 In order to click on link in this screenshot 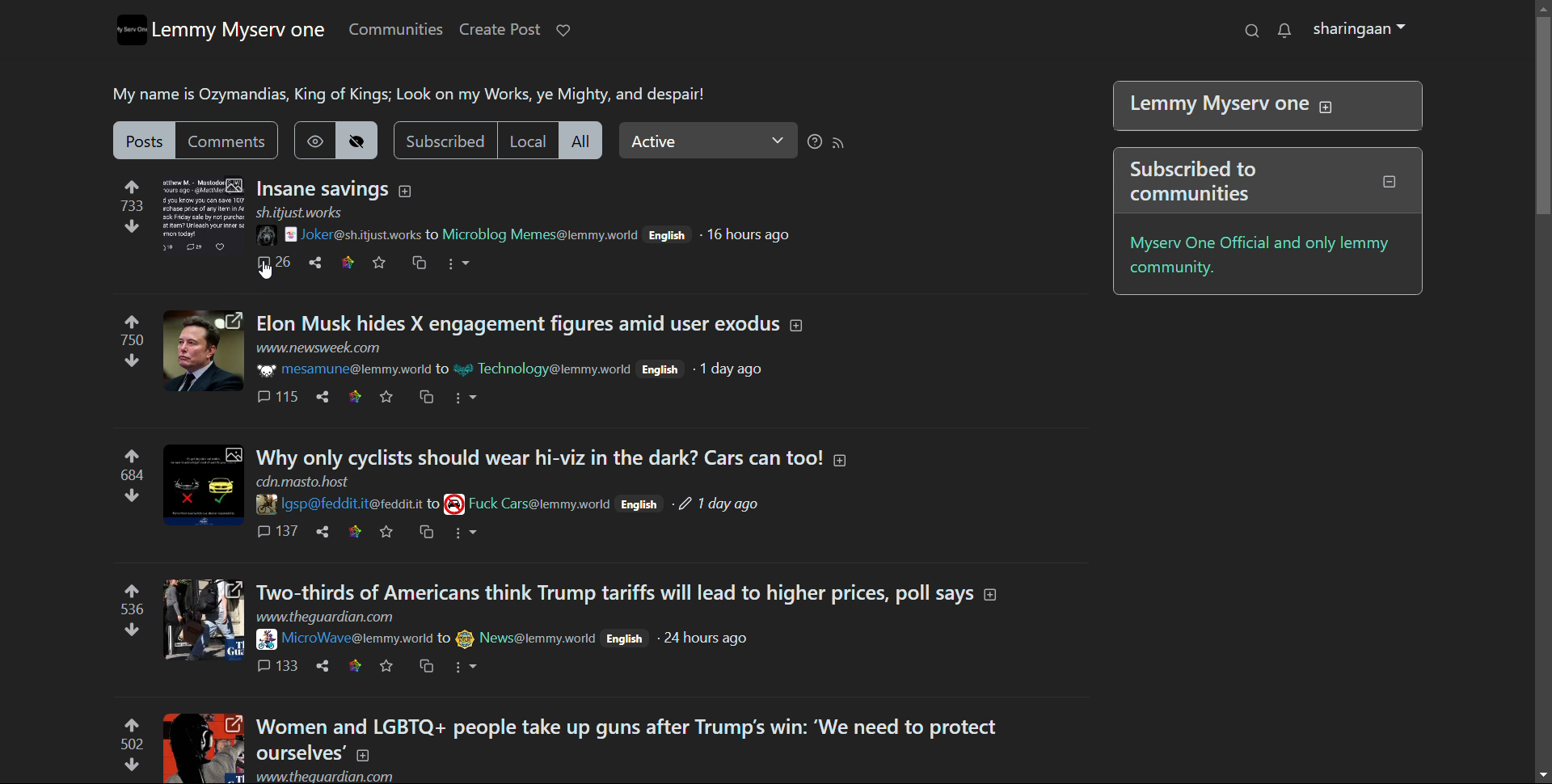, I will do `click(348, 263)`.